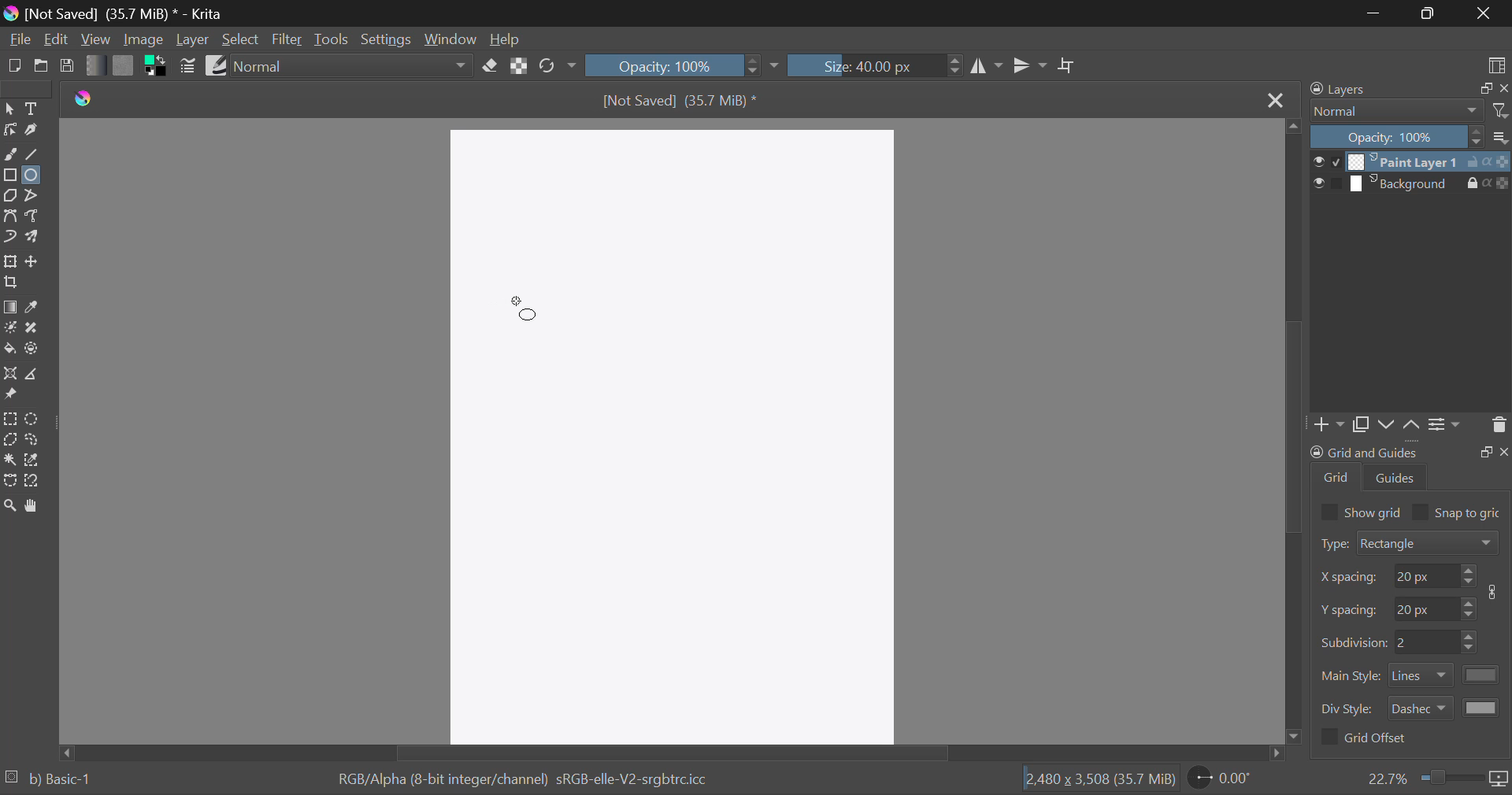 The width and height of the screenshot is (1512, 795). I want to click on Restore Down, so click(1375, 13).